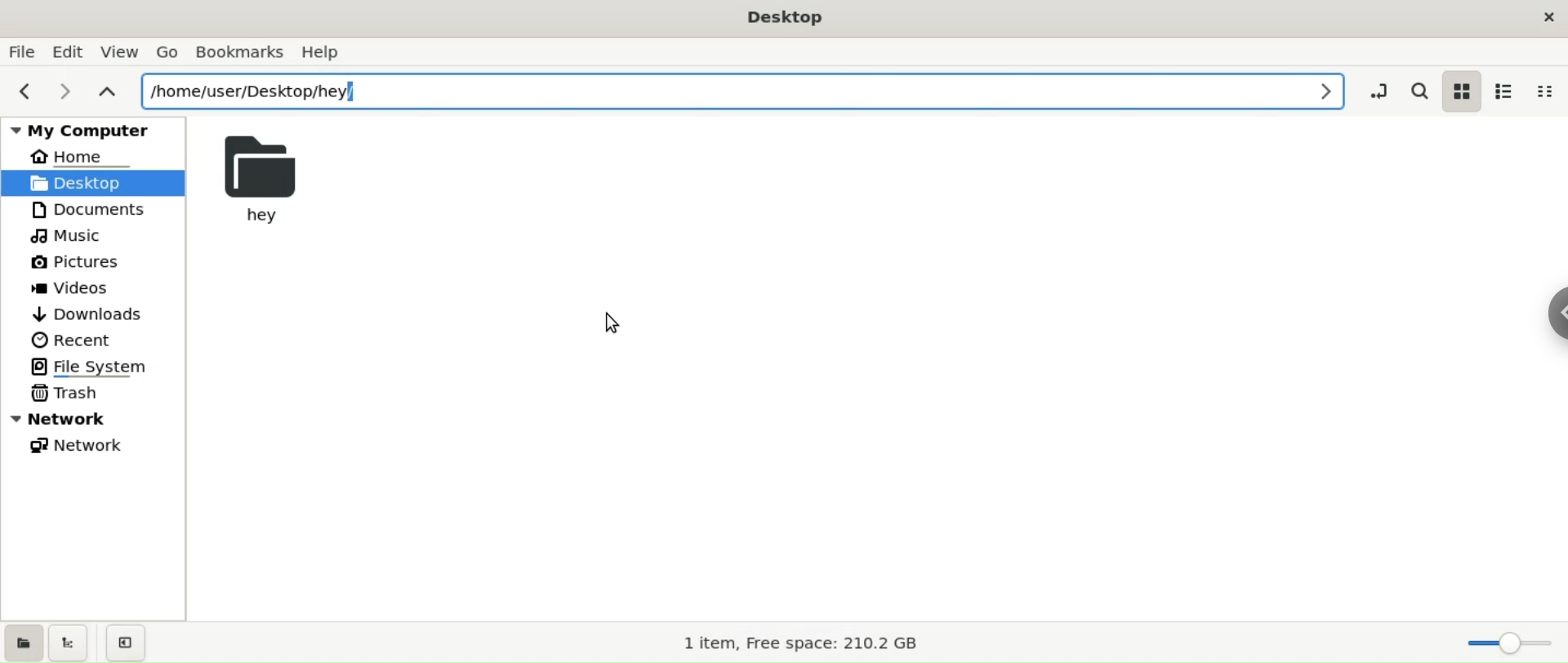 Image resolution: width=1568 pixels, height=663 pixels. Describe the element at coordinates (1552, 314) in the screenshot. I see `chrome options` at that location.